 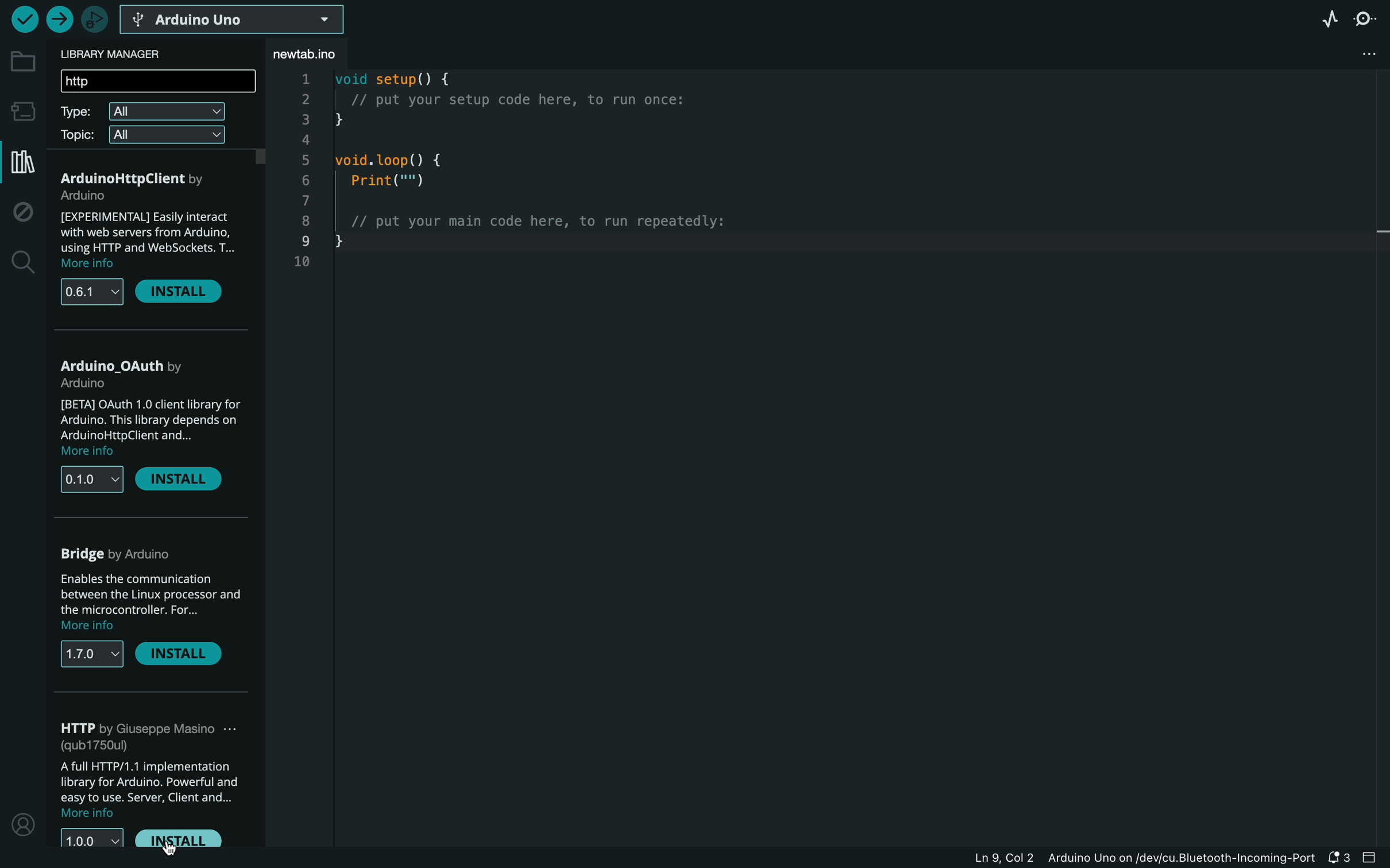 I want to click on cursor, so click(x=166, y=847).